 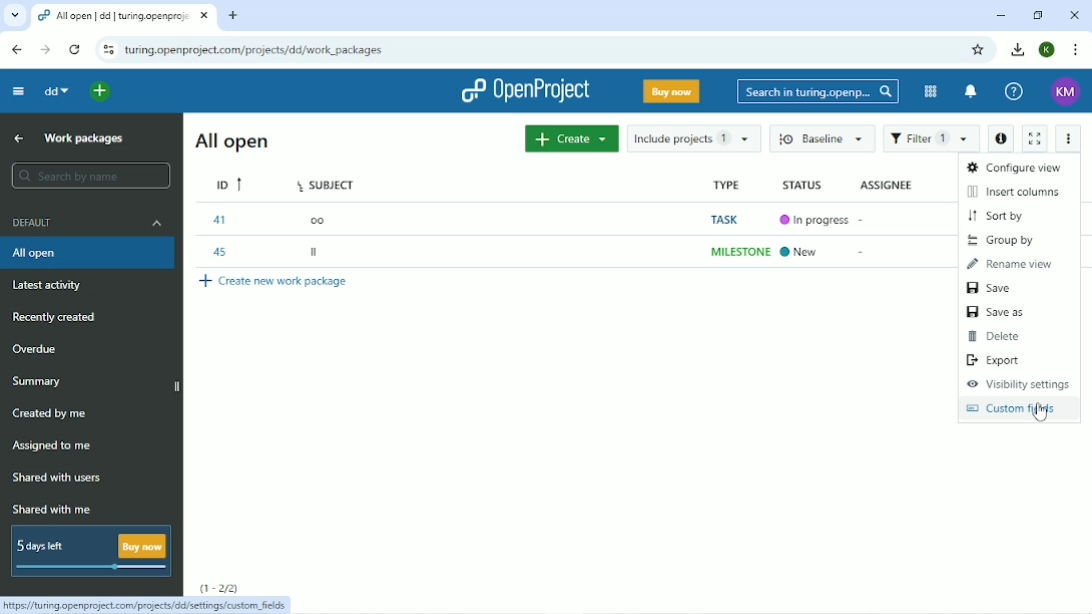 What do you see at coordinates (16, 138) in the screenshot?
I see `Up` at bounding box center [16, 138].